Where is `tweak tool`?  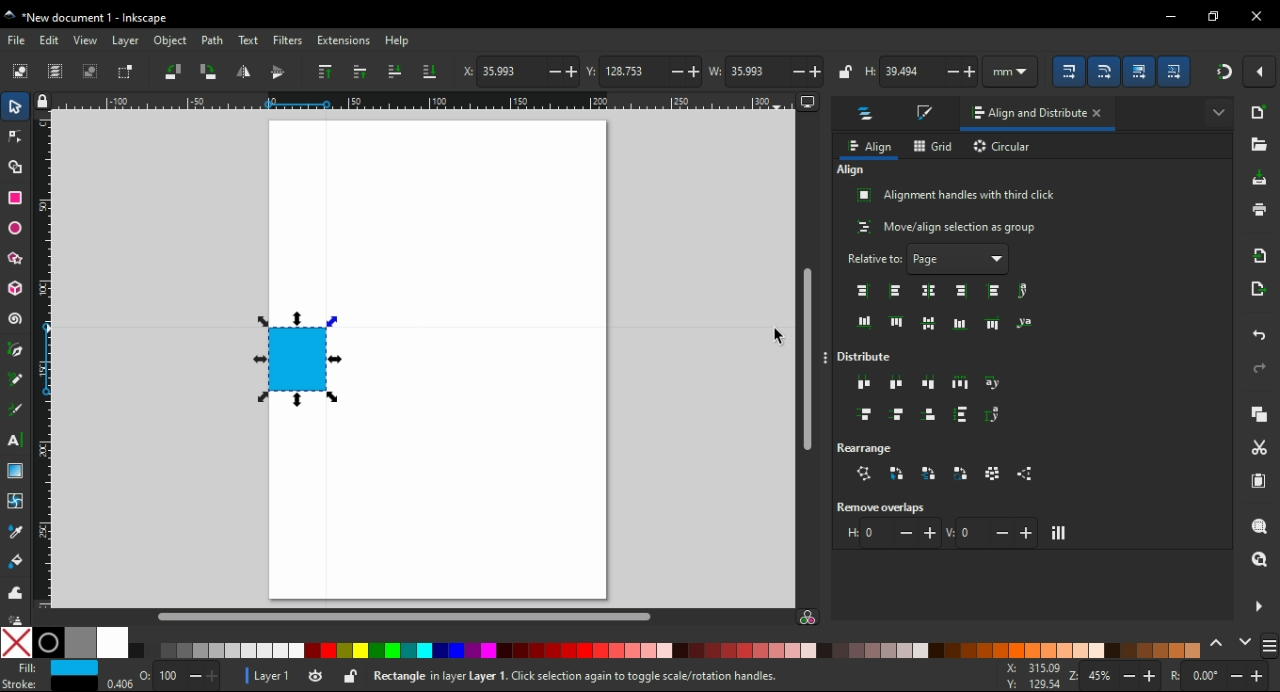
tweak tool is located at coordinates (17, 592).